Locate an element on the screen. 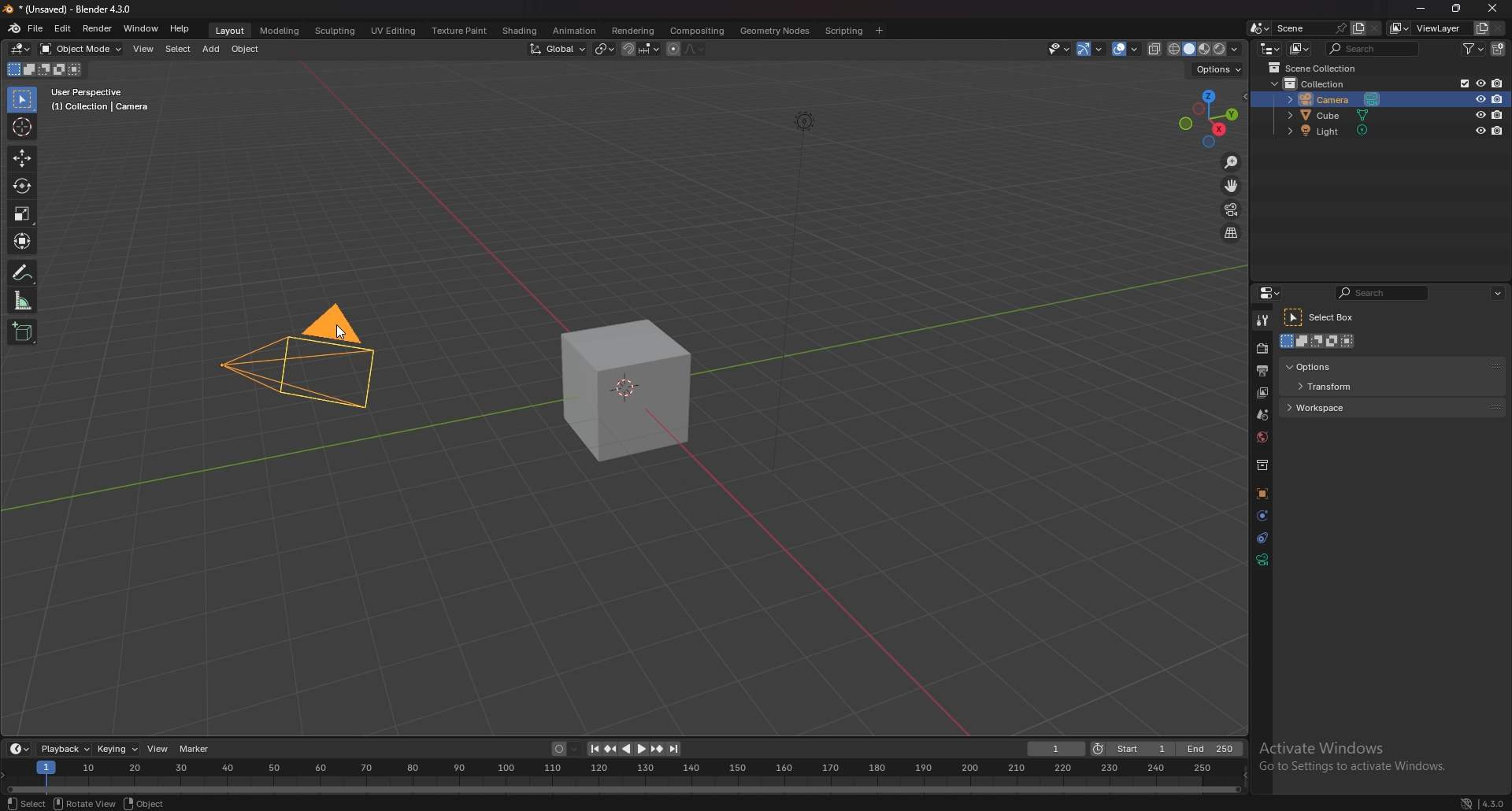 Image resolution: width=1512 pixels, height=811 pixels. cube is located at coordinates (624, 391).